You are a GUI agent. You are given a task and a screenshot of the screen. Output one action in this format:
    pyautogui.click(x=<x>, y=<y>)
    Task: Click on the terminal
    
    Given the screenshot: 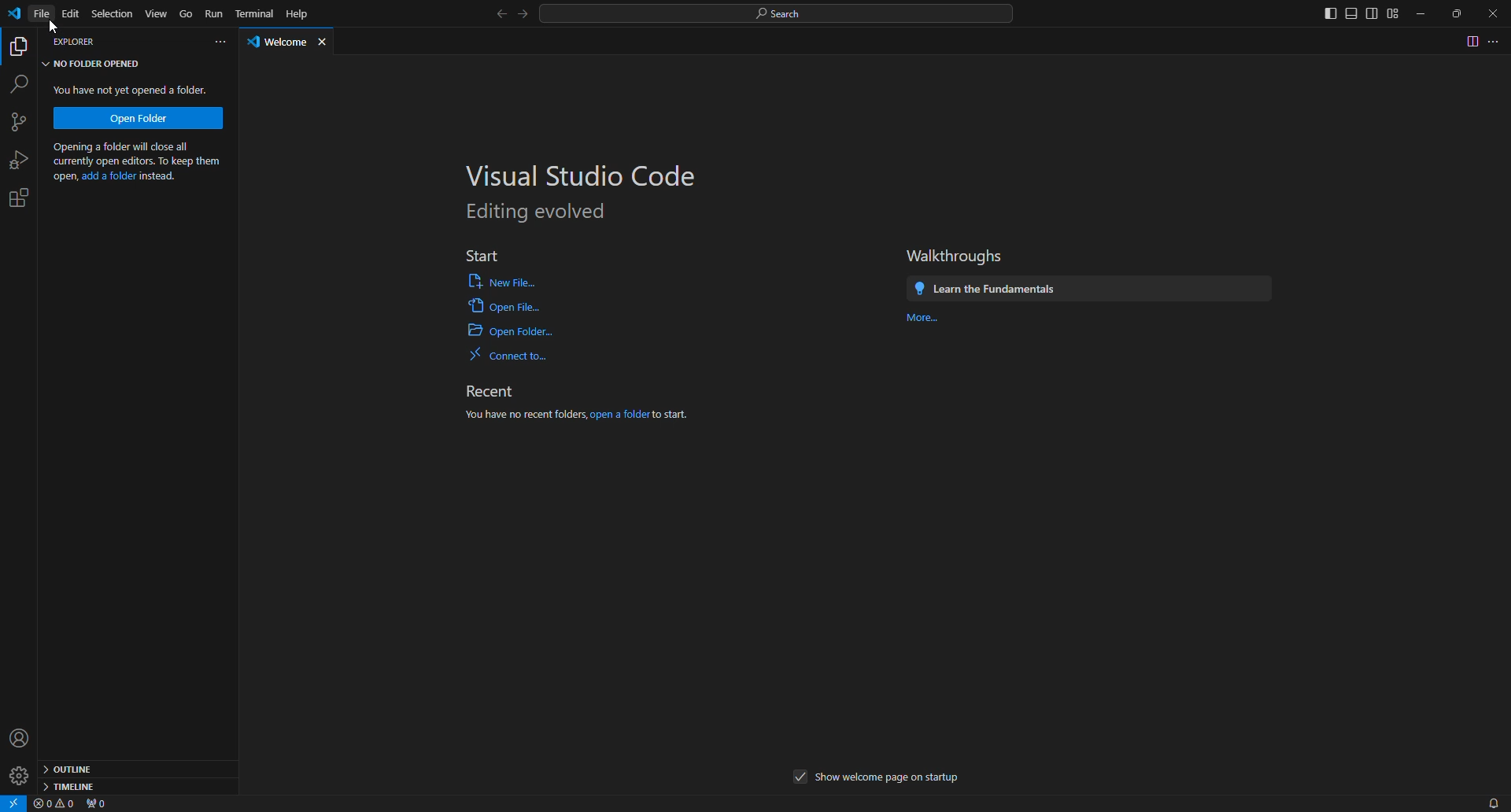 What is the action you would take?
    pyautogui.click(x=255, y=14)
    